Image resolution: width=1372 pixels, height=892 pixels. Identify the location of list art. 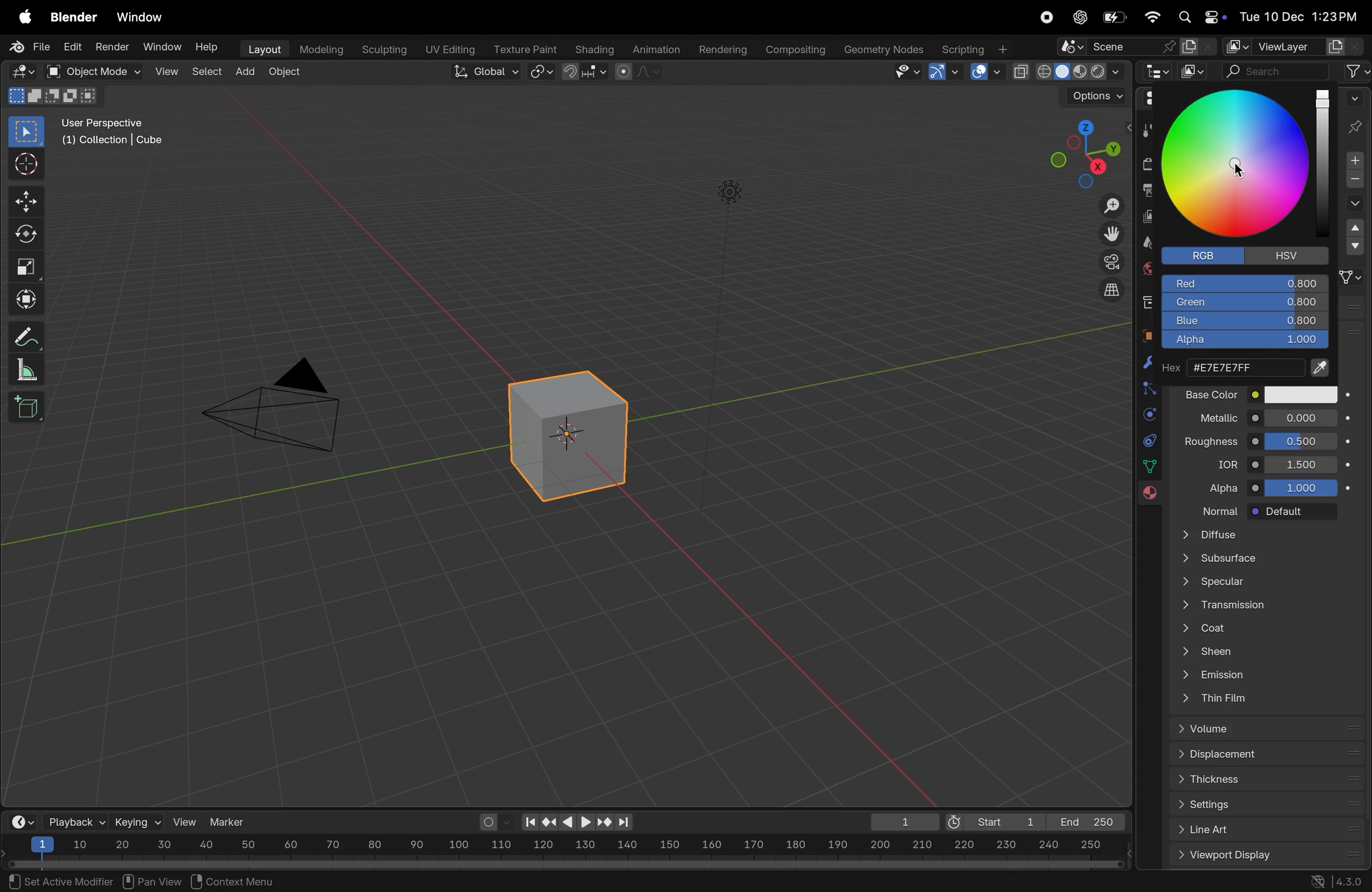
(1262, 831).